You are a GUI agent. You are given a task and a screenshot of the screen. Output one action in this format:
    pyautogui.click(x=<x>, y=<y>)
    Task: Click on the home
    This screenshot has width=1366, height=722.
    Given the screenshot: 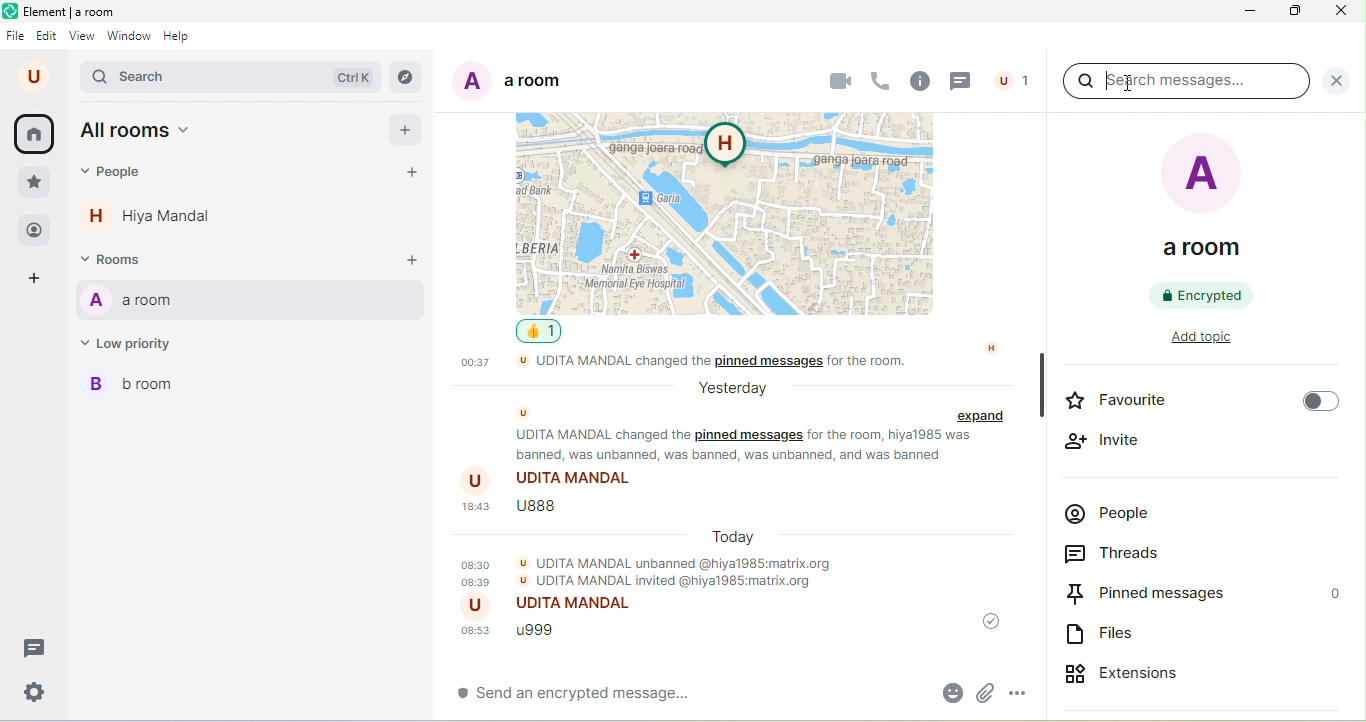 What is the action you would take?
    pyautogui.click(x=38, y=134)
    